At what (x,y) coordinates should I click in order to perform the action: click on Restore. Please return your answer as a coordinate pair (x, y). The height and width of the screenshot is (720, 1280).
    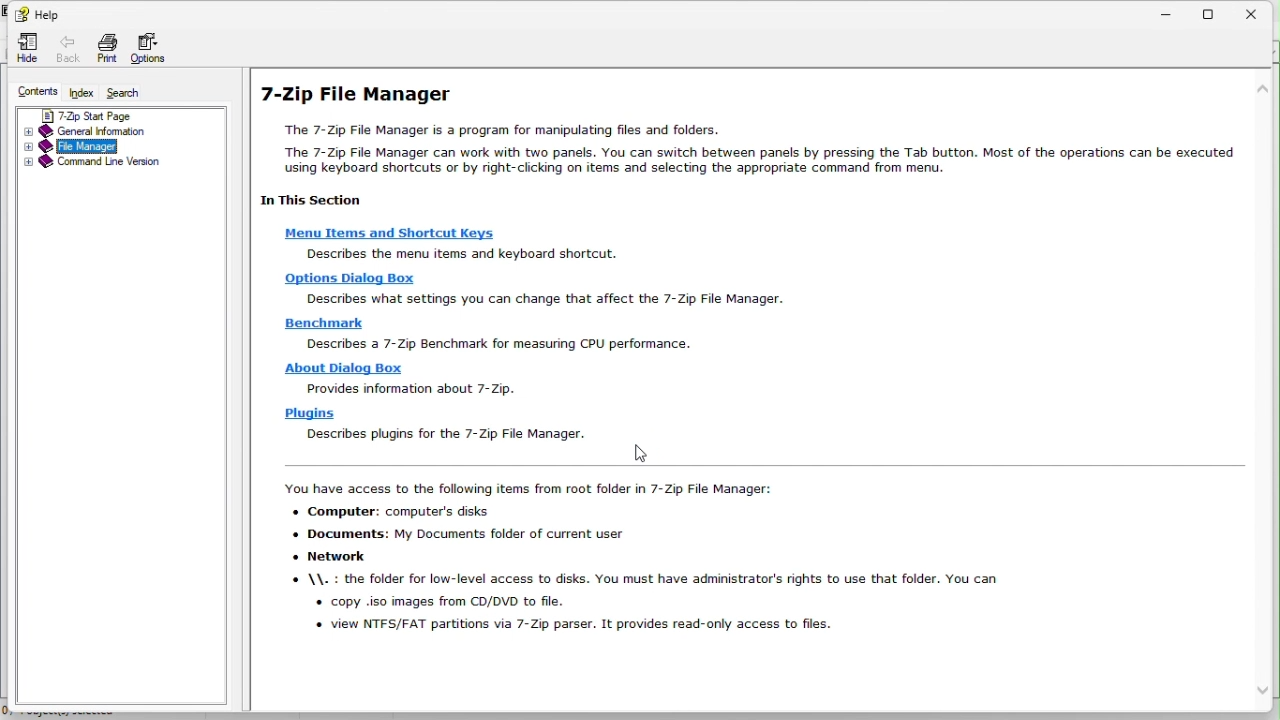
    Looking at the image, I should click on (1215, 14).